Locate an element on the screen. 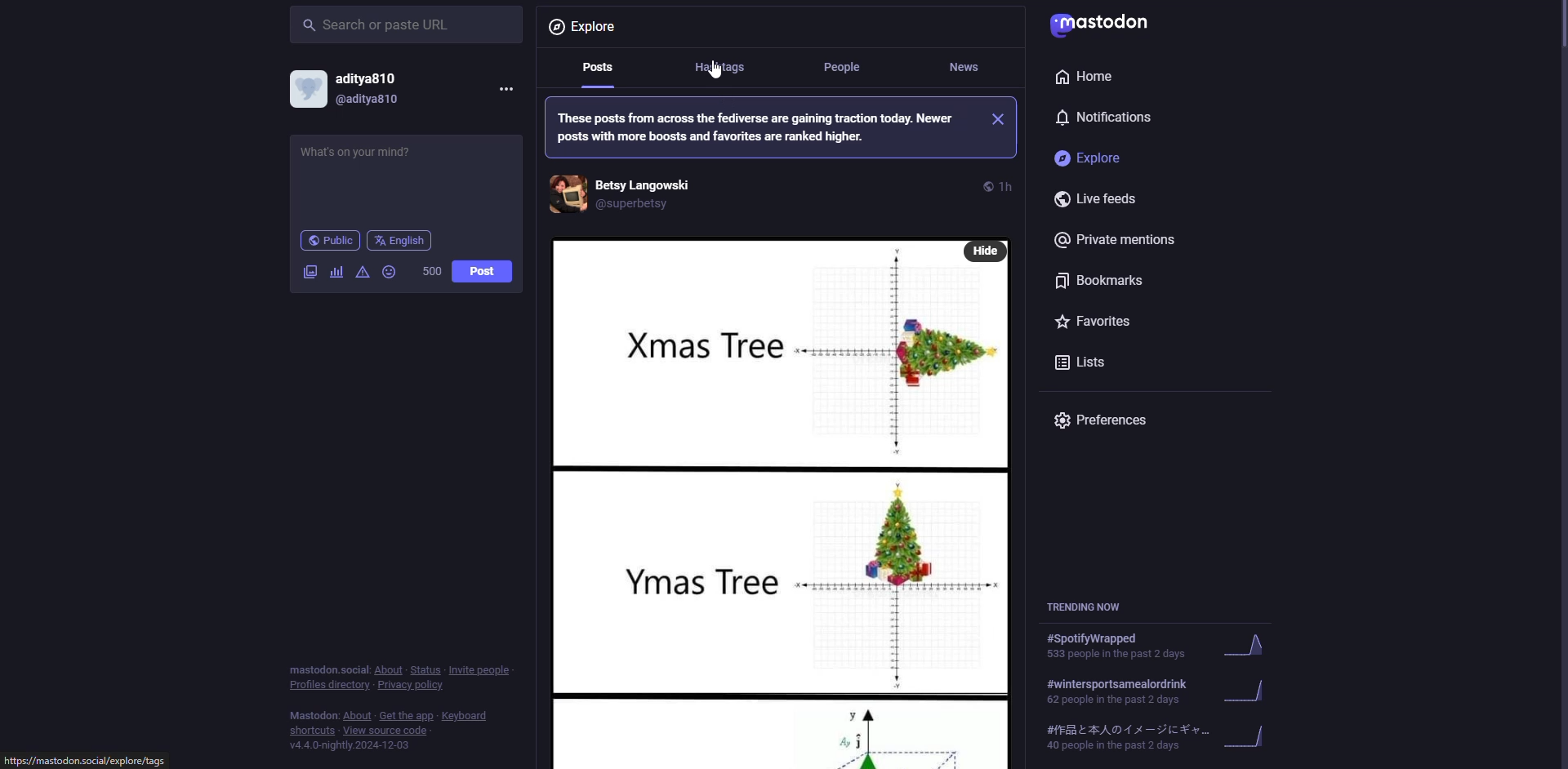 Image resolution: width=1568 pixels, height=769 pixels. post is located at coordinates (804, 741).